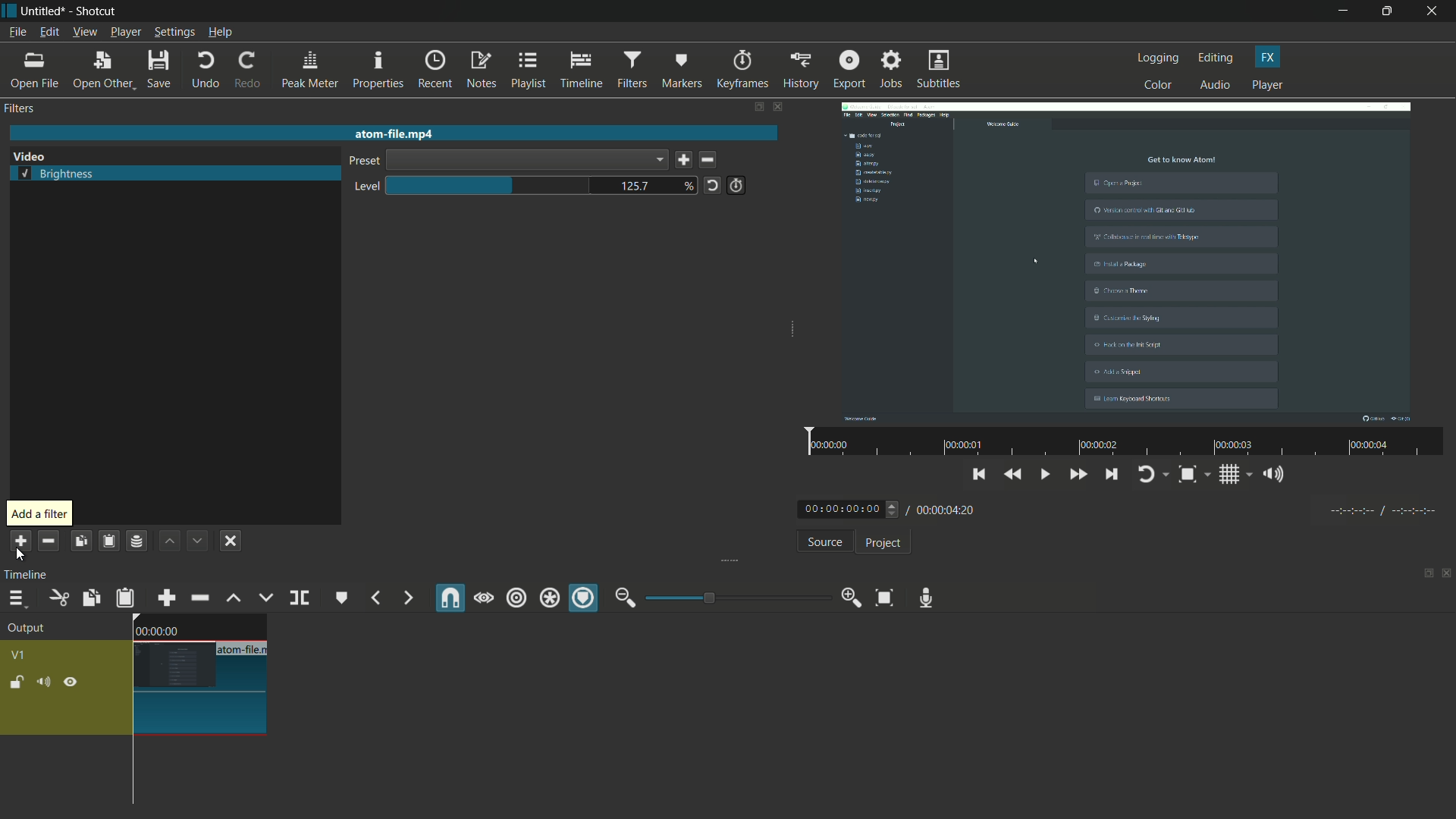 The width and height of the screenshot is (1456, 819). Describe the element at coordinates (21, 108) in the screenshot. I see `filters` at that location.